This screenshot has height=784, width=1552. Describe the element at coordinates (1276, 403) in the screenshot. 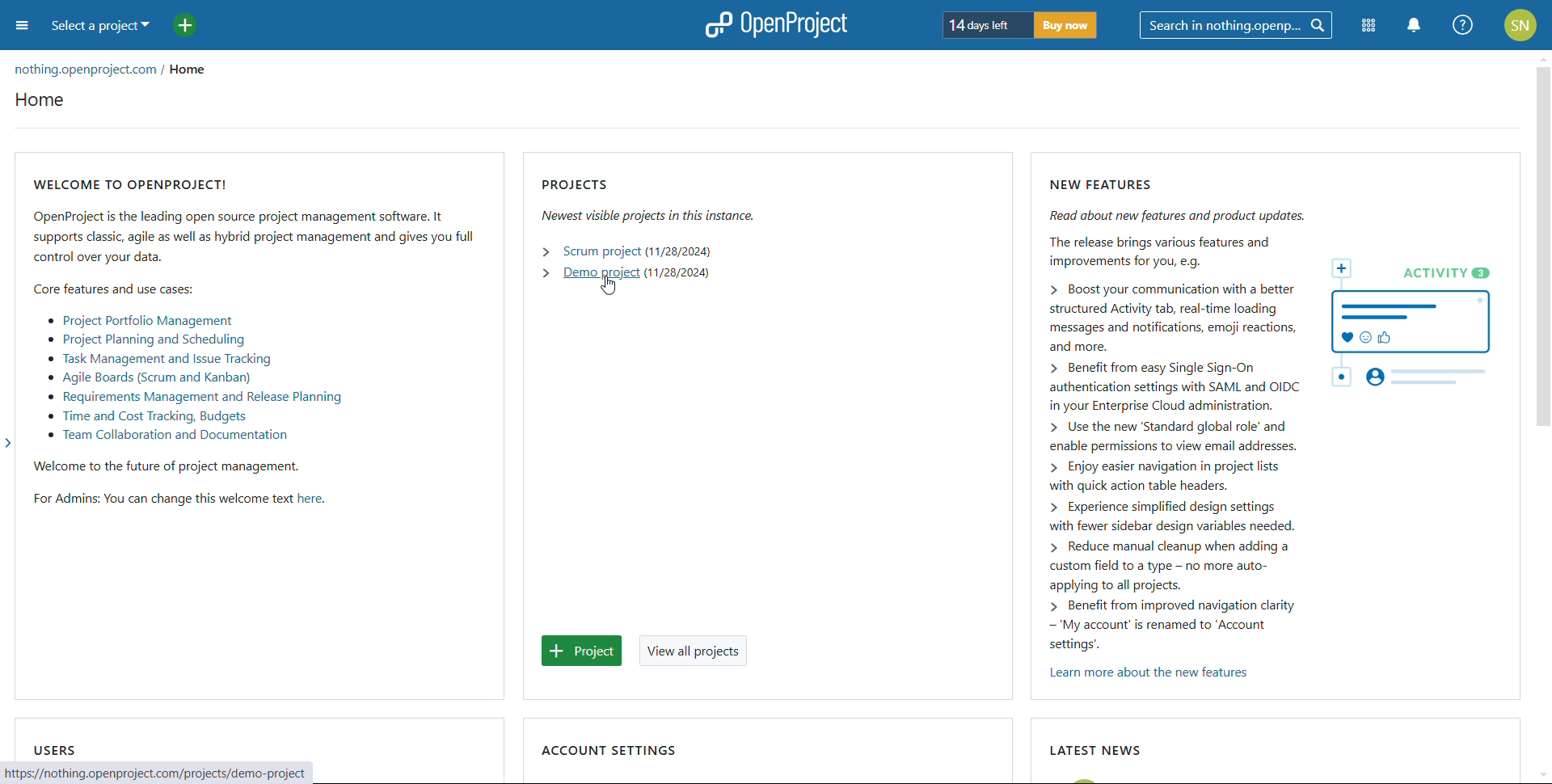

I see `new features` at that location.